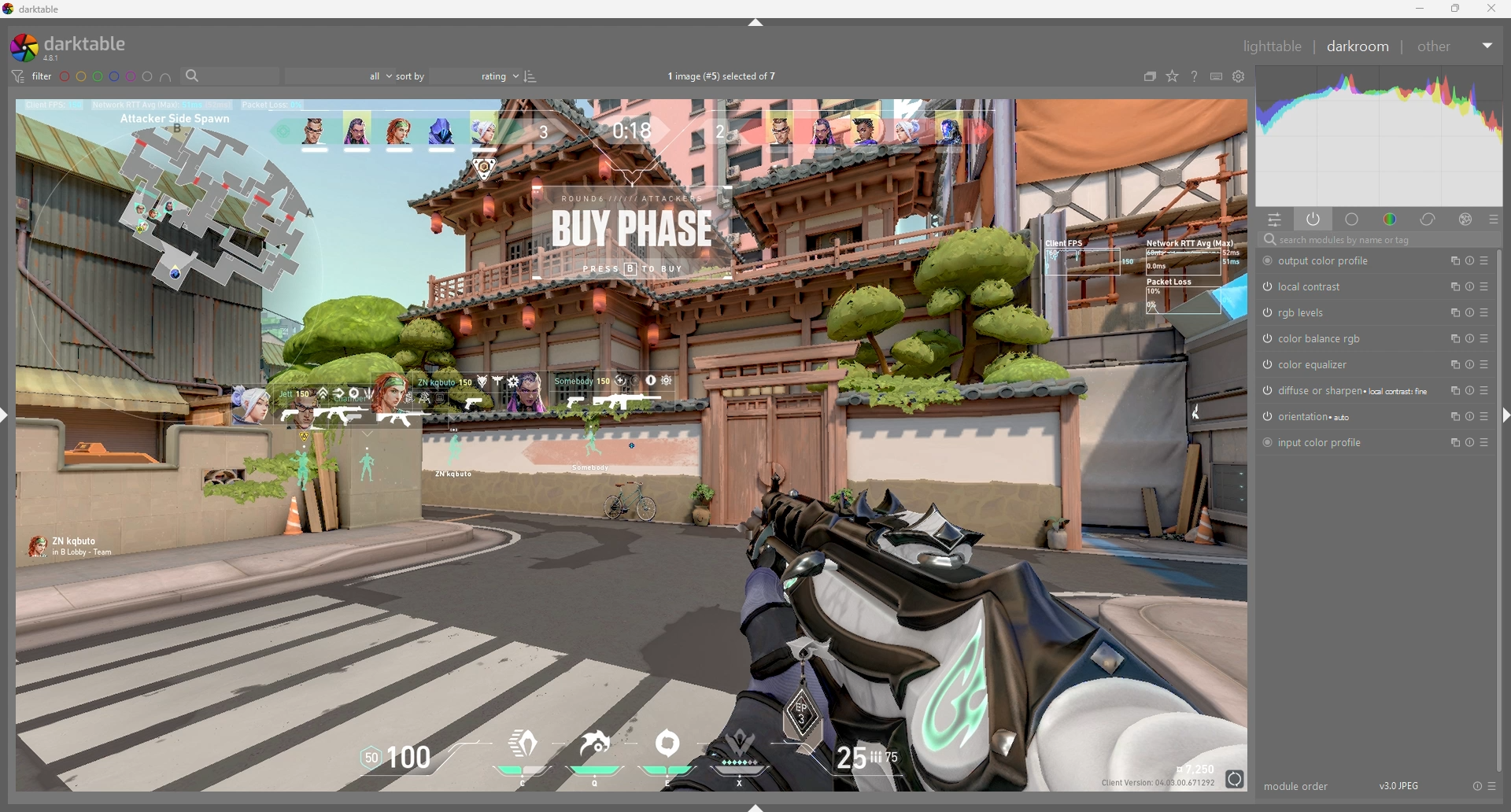 This screenshot has width=1511, height=812. Describe the element at coordinates (530, 76) in the screenshot. I see `reverse sort order` at that location.